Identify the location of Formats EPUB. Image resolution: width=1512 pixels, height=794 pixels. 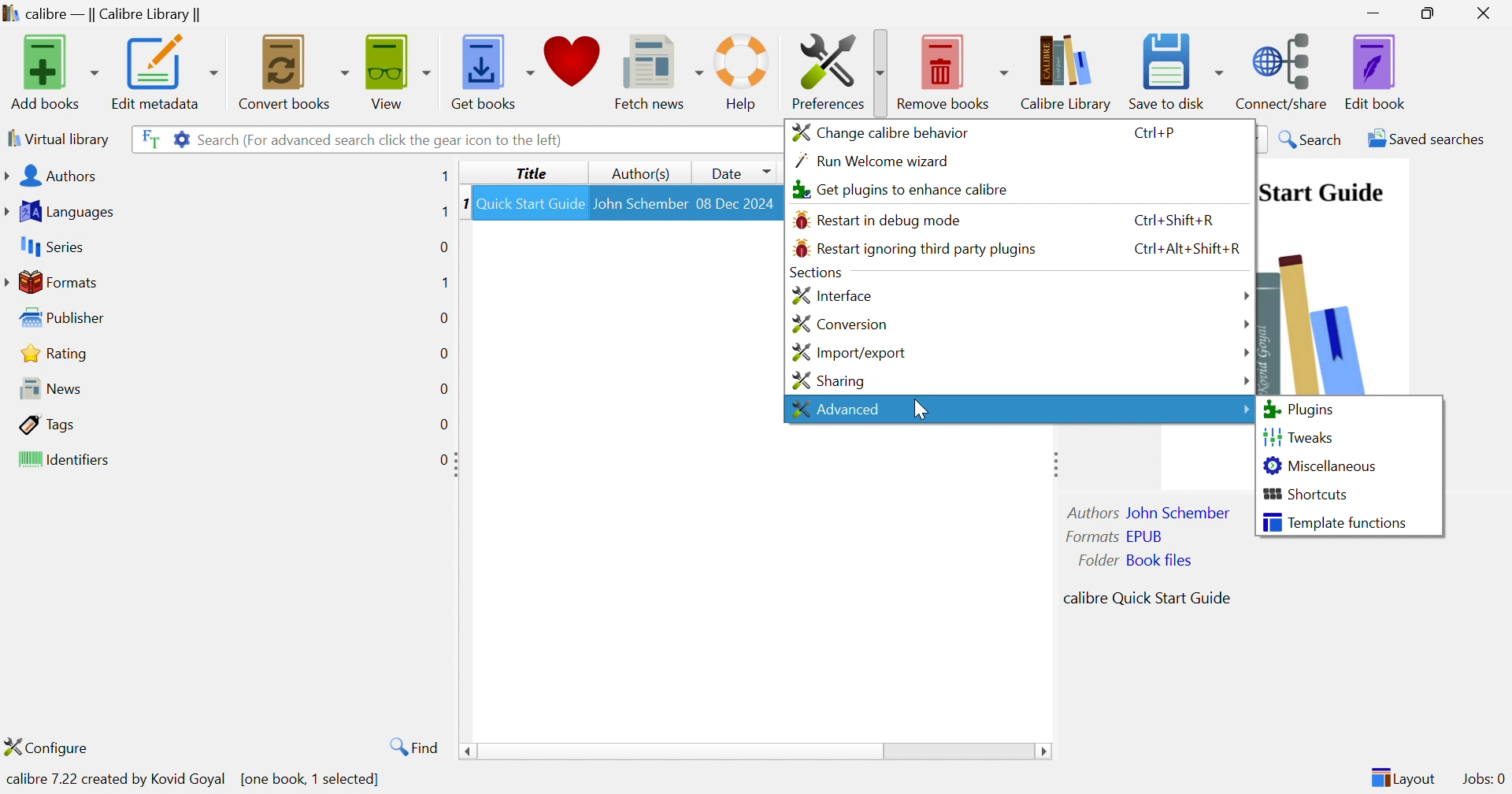
(1114, 536).